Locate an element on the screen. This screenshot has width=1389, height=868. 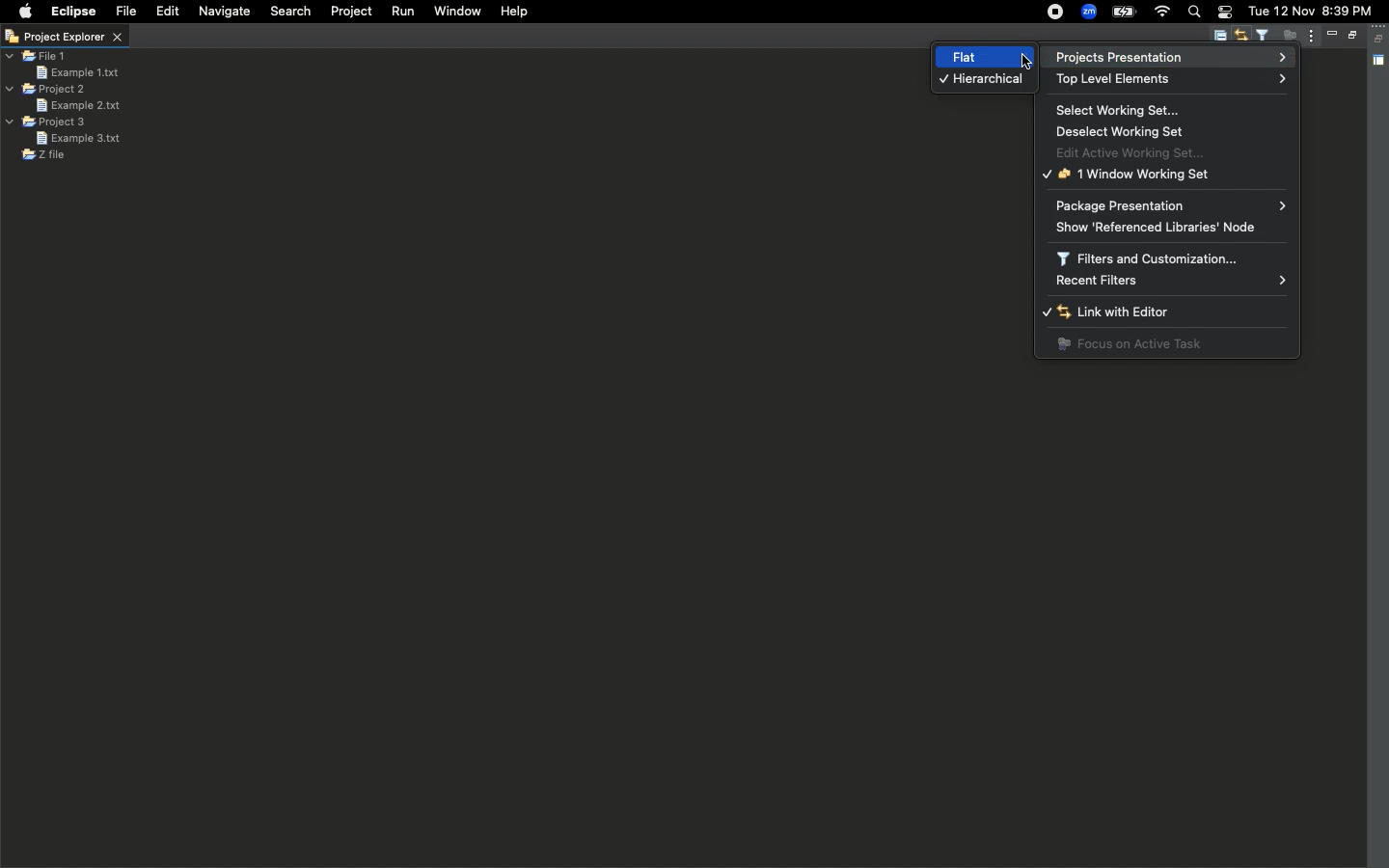
Eclipse is located at coordinates (74, 13).